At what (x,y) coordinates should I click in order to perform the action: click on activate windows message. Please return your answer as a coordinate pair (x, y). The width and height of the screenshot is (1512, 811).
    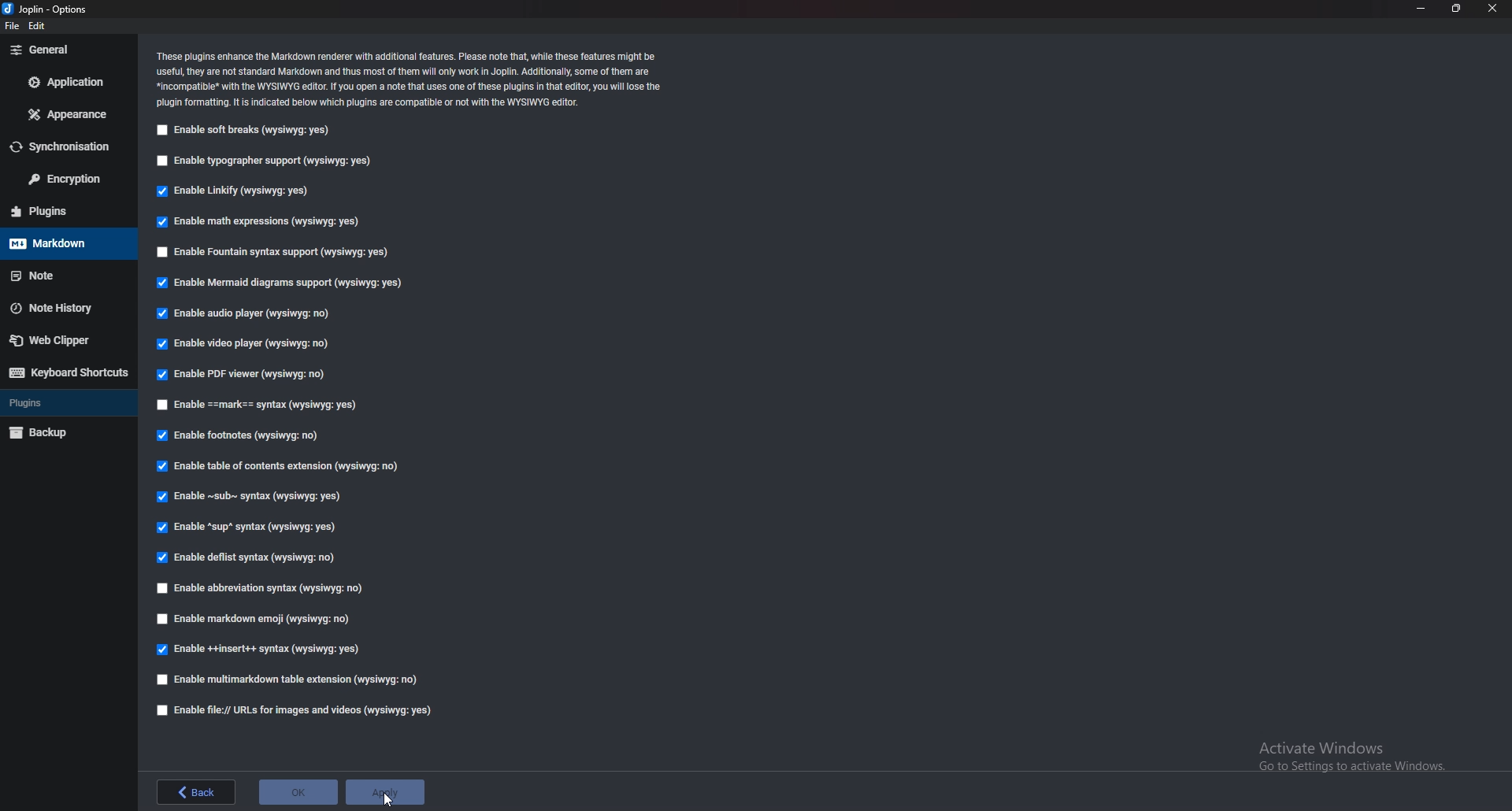
    Looking at the image, I should click on (1350, 750).